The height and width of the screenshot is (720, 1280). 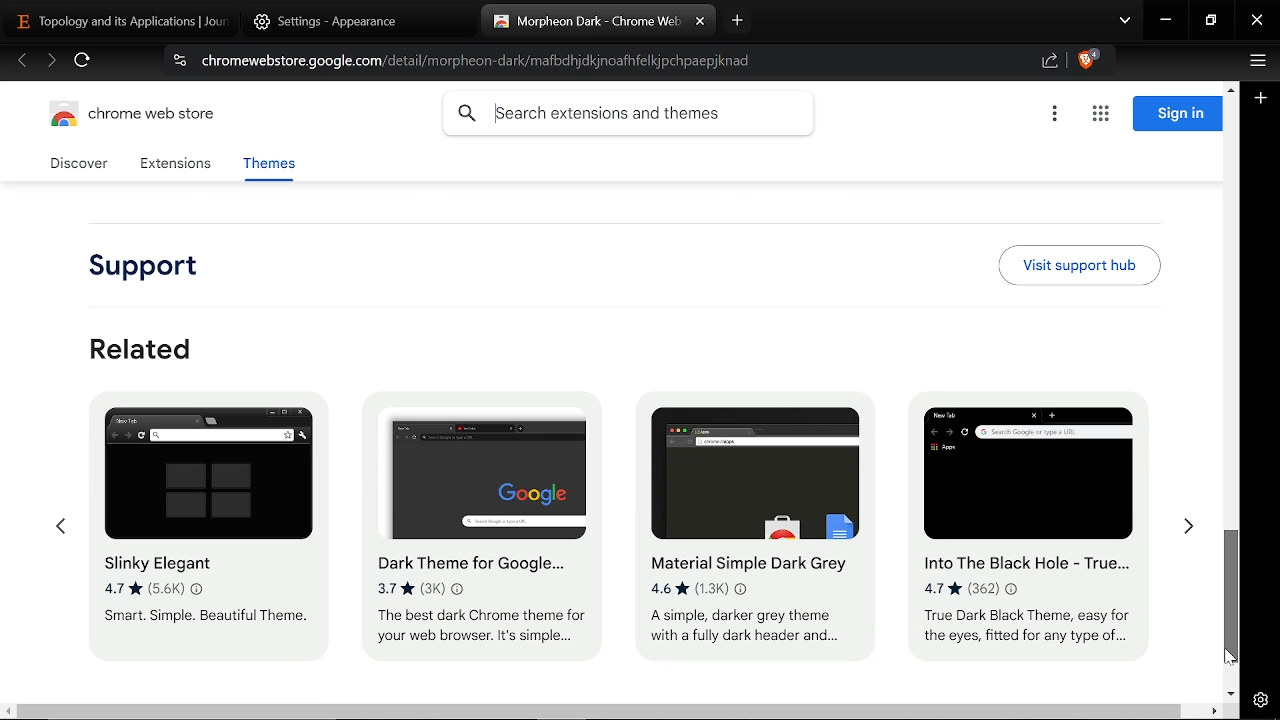 I want to click on GO left, so click(x=59, y=528).